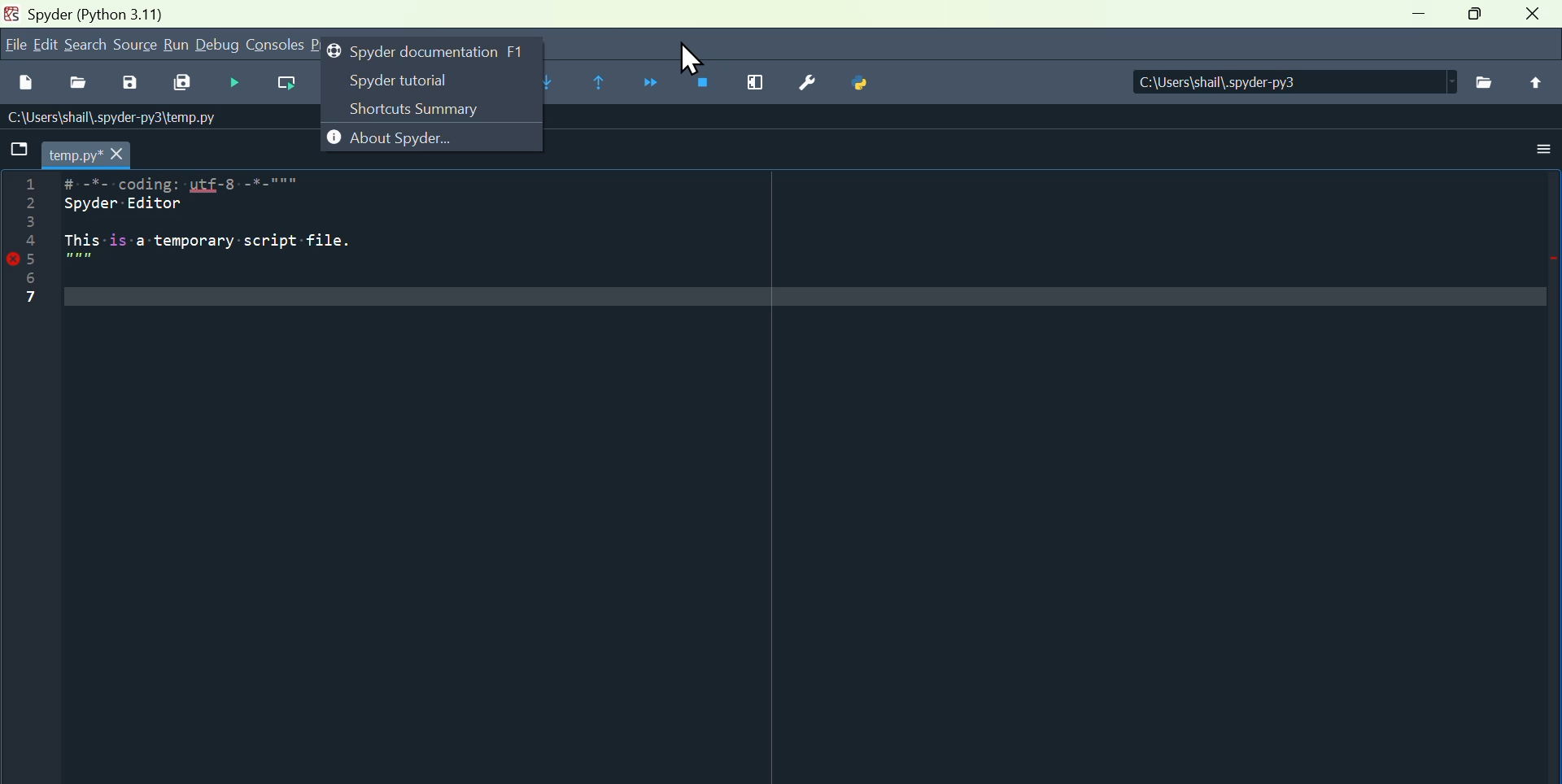  Describe the element at coordinates (286, 85) in the screenshot. I see `run current cell` at that location.